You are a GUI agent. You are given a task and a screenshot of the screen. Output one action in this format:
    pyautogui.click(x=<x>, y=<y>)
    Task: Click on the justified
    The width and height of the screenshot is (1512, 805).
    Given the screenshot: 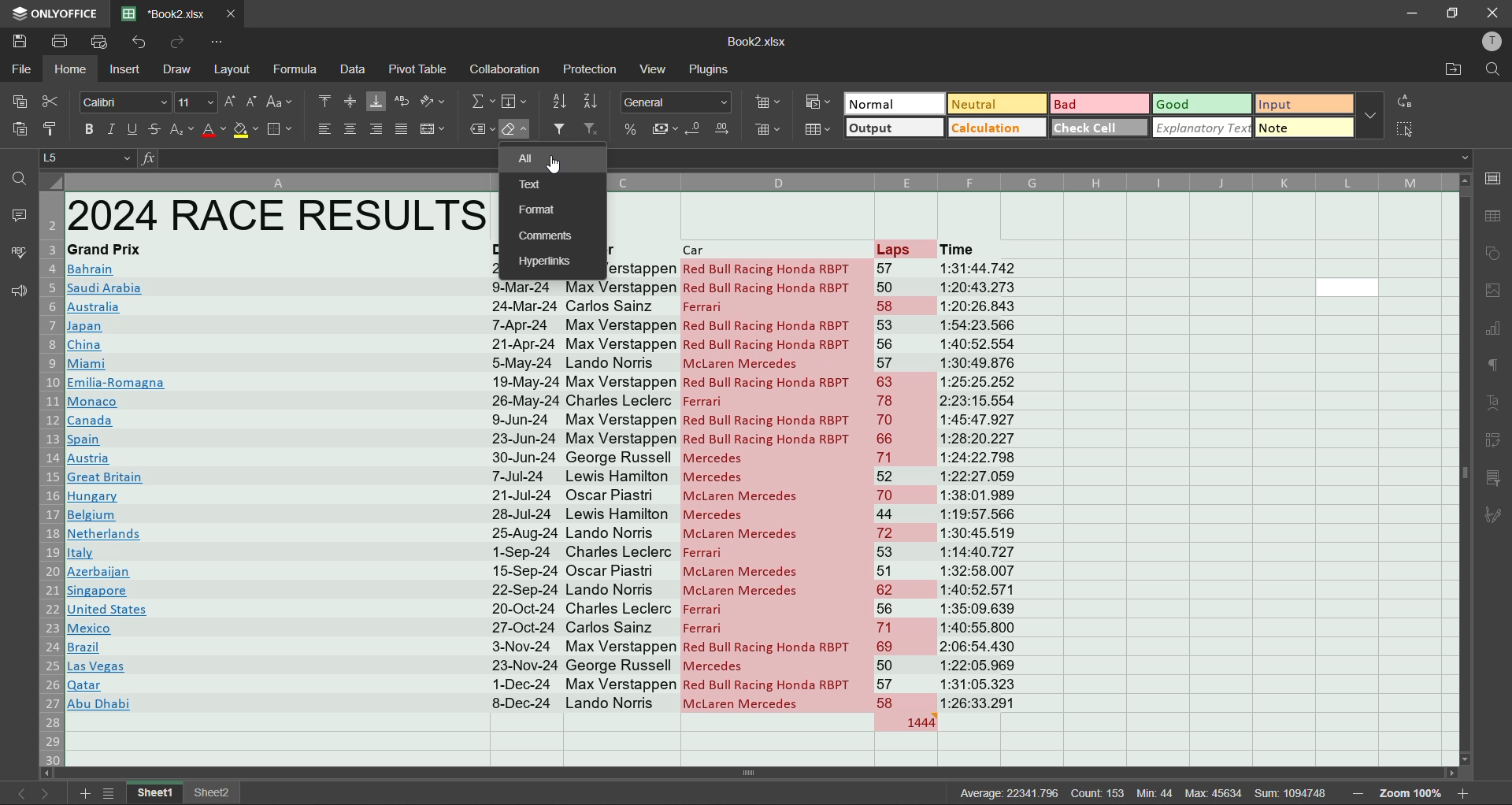 What is the action you would take?
    pyautogui.click(x=400, y=129)
    